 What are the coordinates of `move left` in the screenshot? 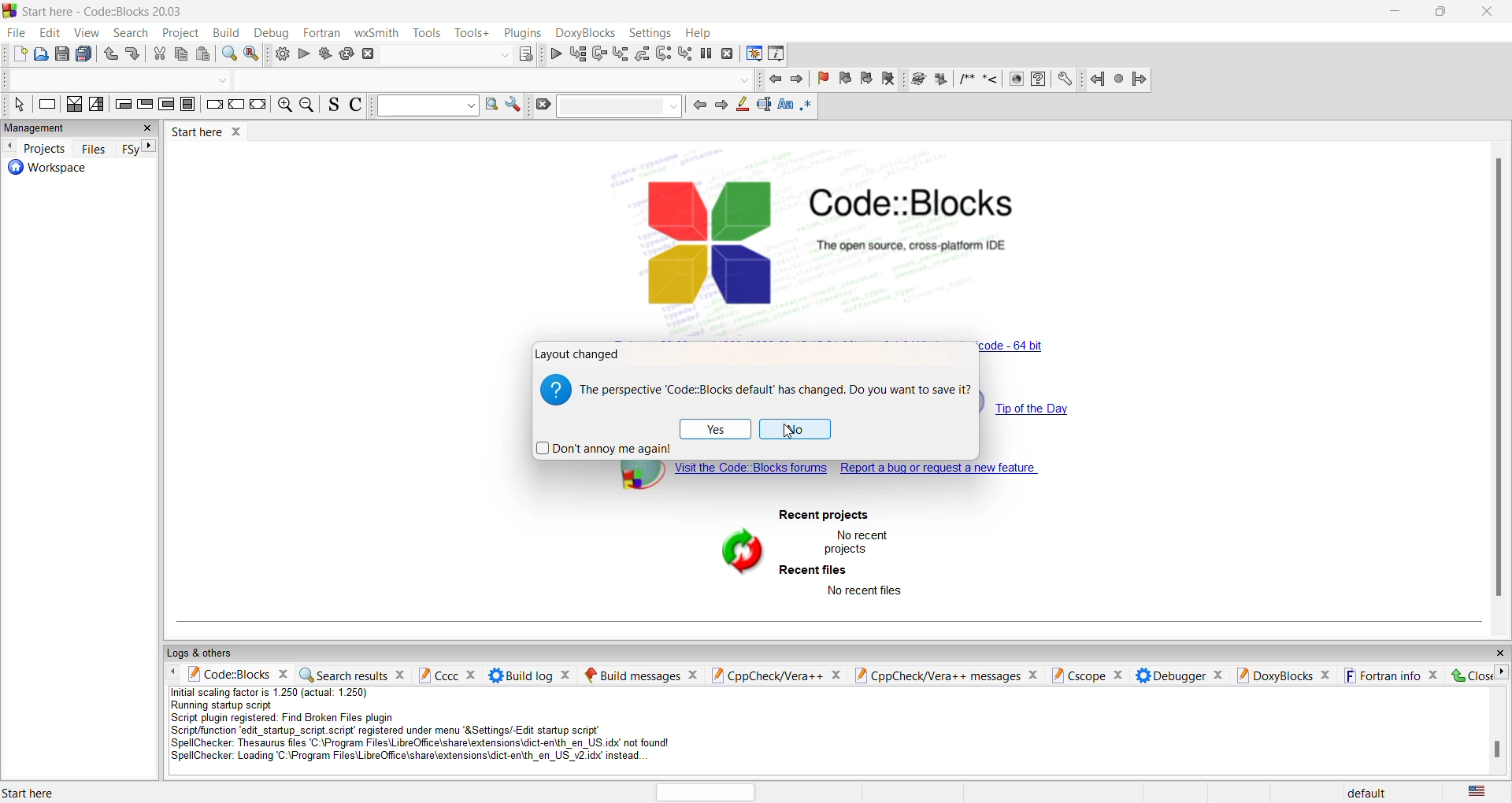 It's located at (9, 147).